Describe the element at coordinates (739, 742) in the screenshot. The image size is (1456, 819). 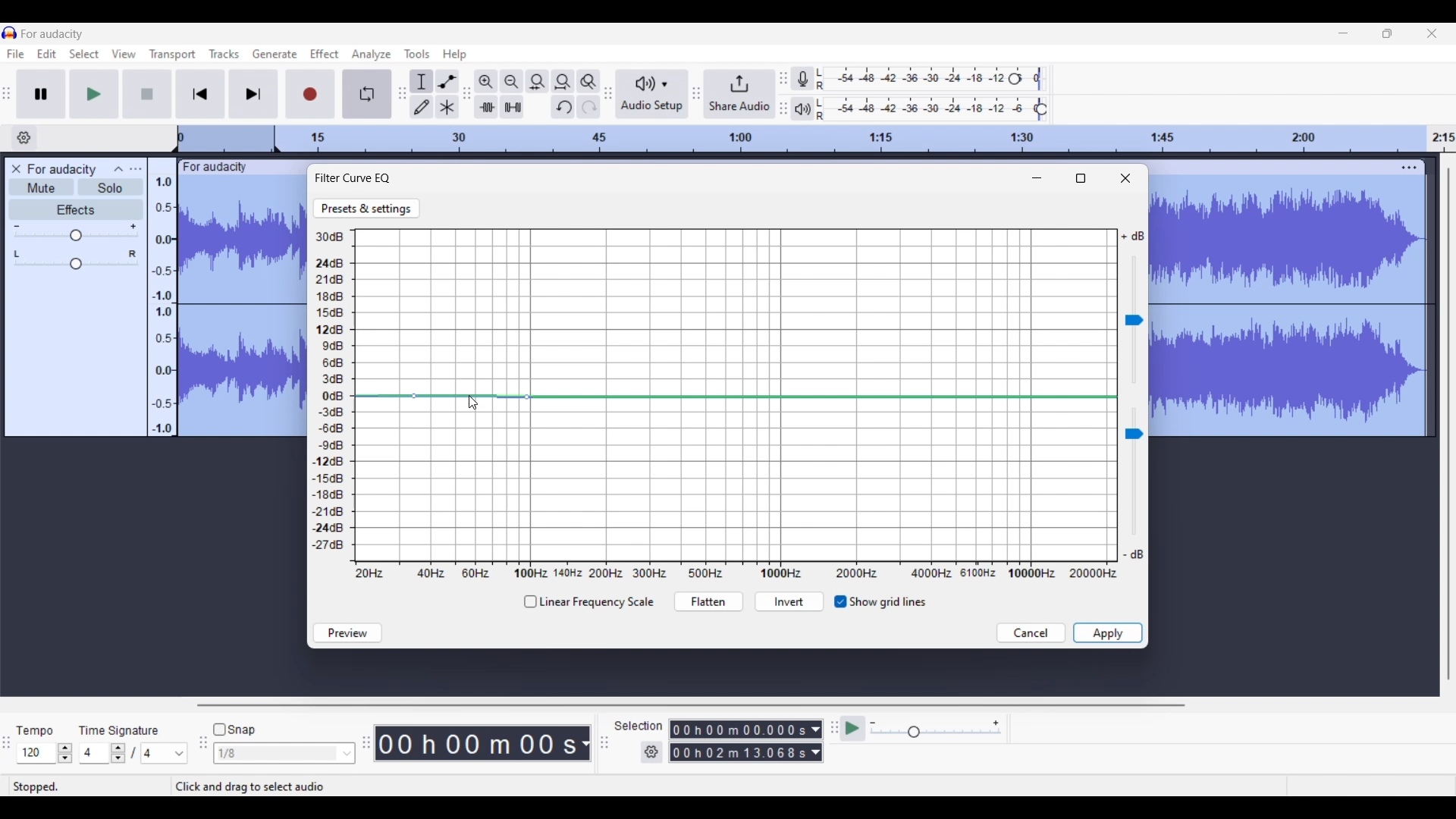
I see `Selection duration` at that location.